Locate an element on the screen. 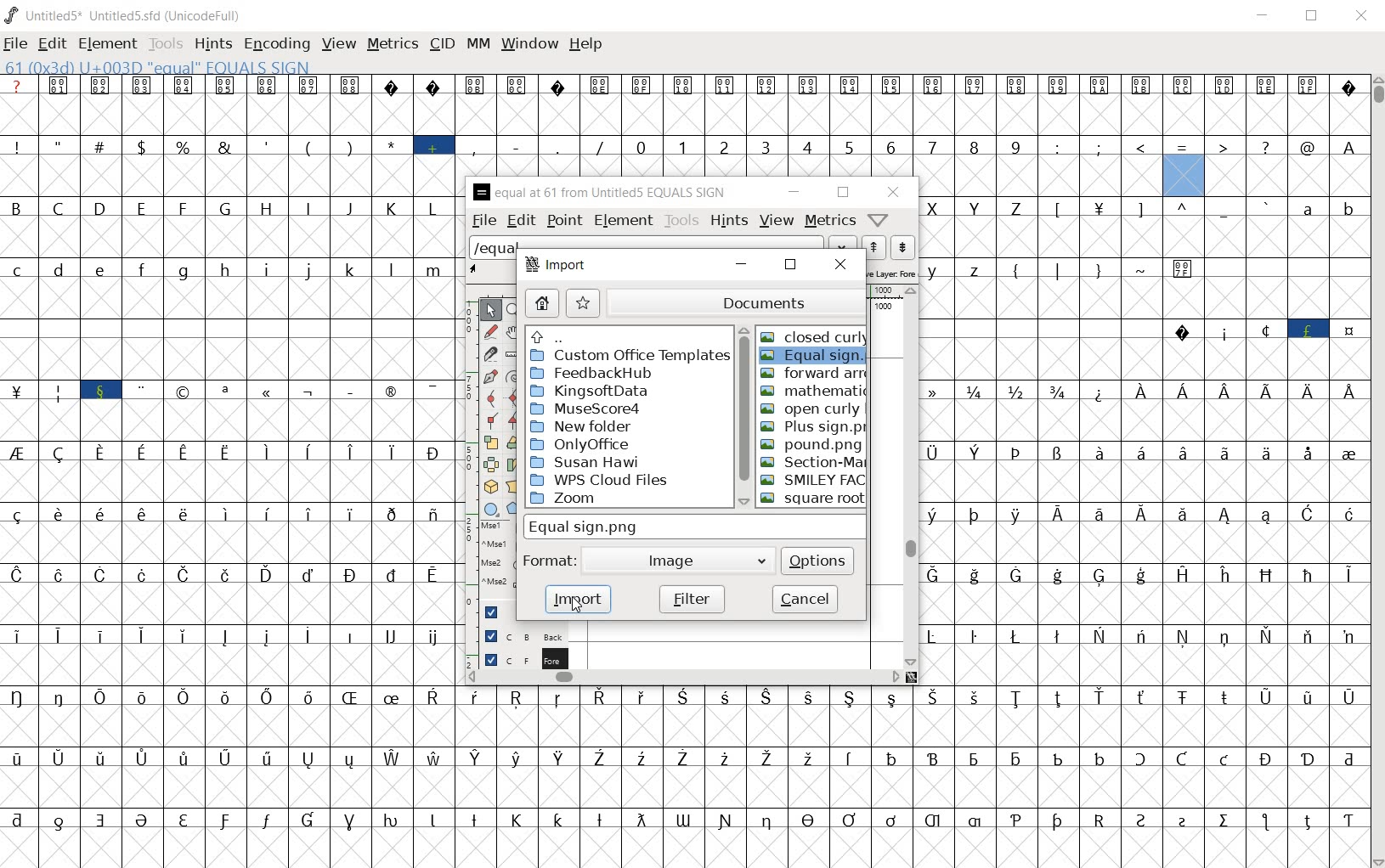  EQUAL SIGN is located at coordinates (810, 355).